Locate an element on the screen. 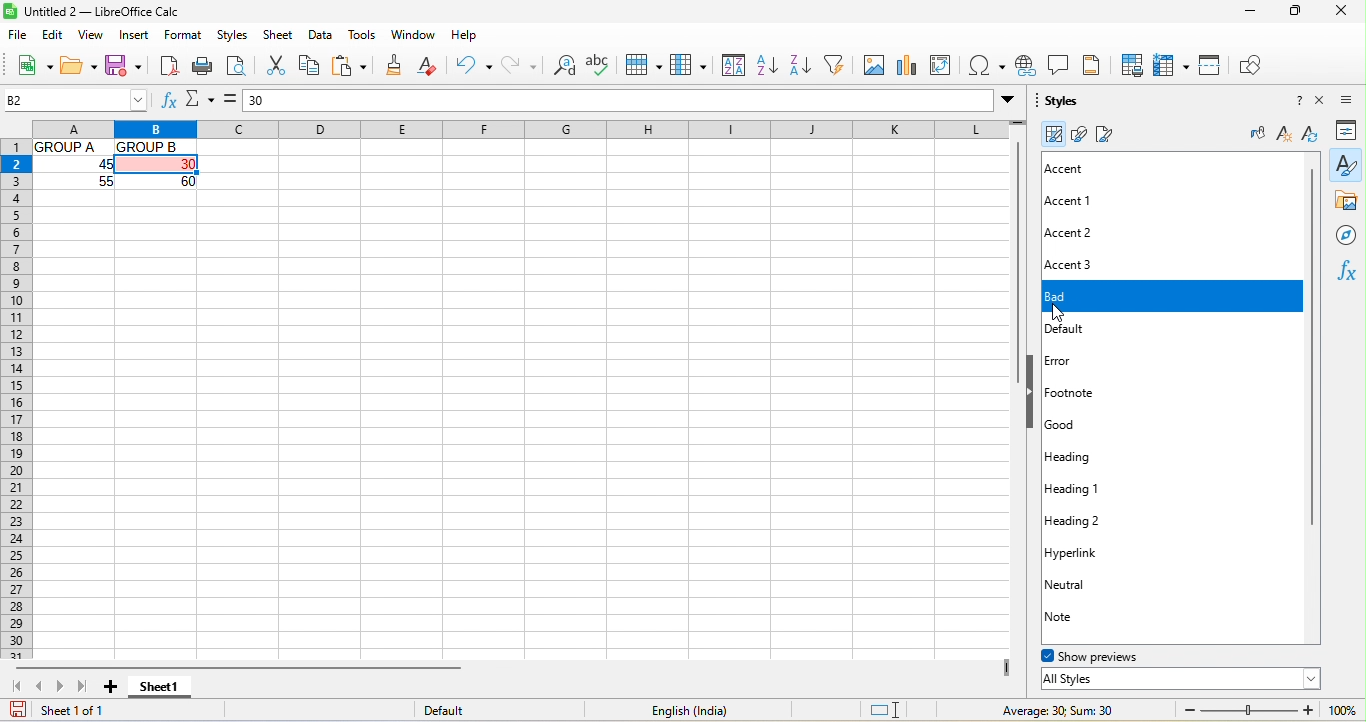 Image resolution: width=1366 pixels, height=722 pixels. drag to view more columns is located at coordinates (1008, 668).